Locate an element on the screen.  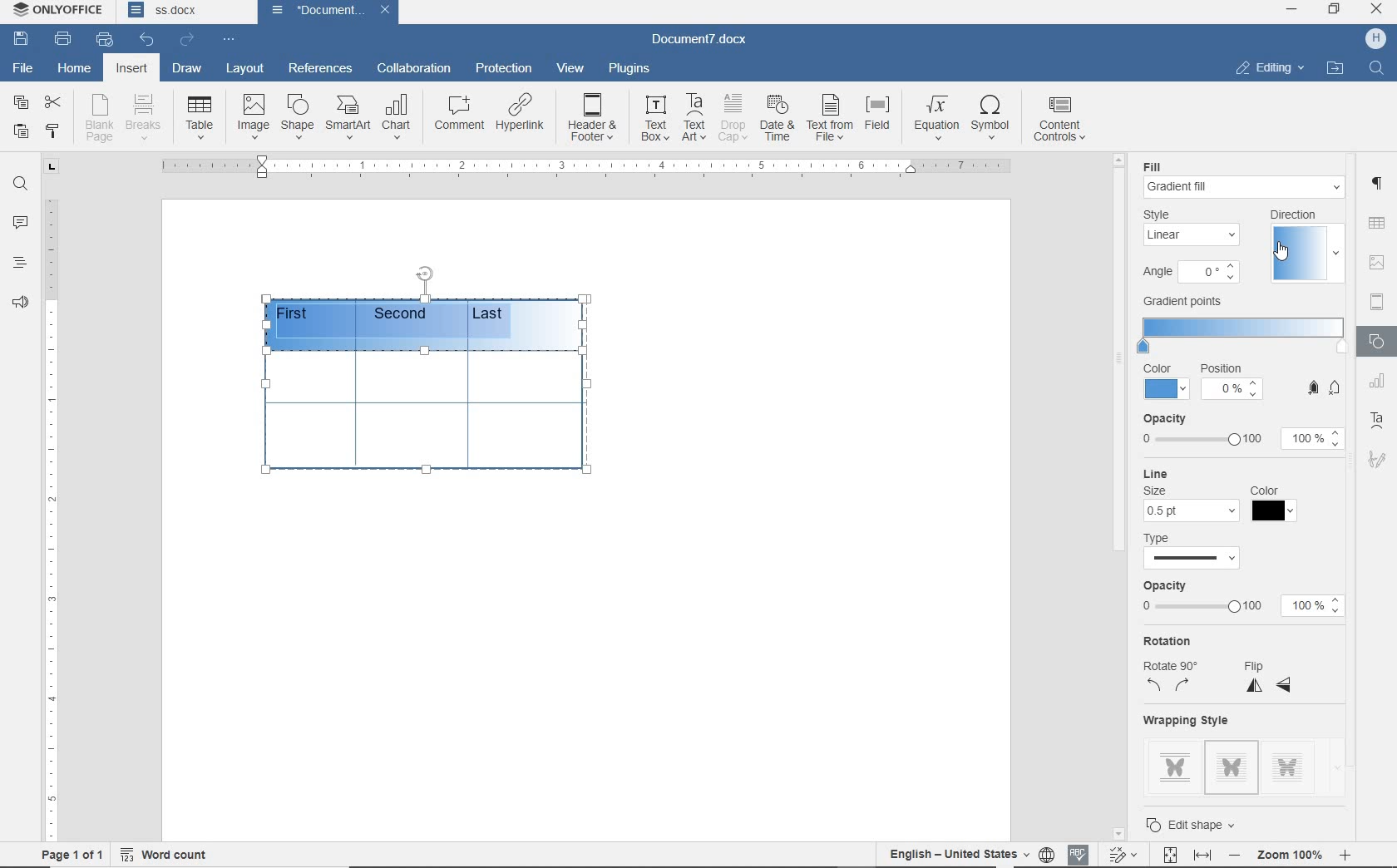
plugins is located at coordinates (629, 67).